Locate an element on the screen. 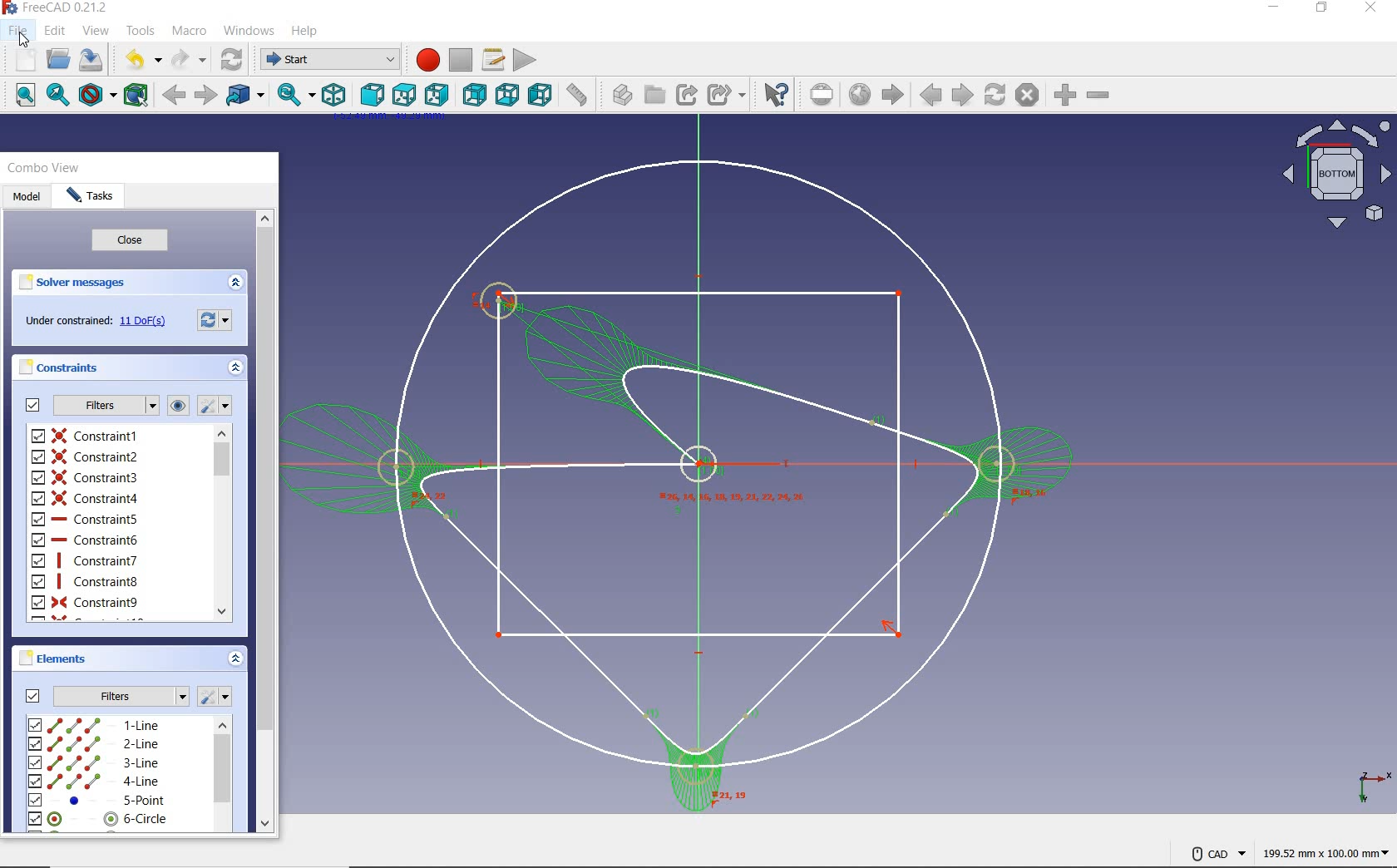  refresh is located at coordinates (227, 61).